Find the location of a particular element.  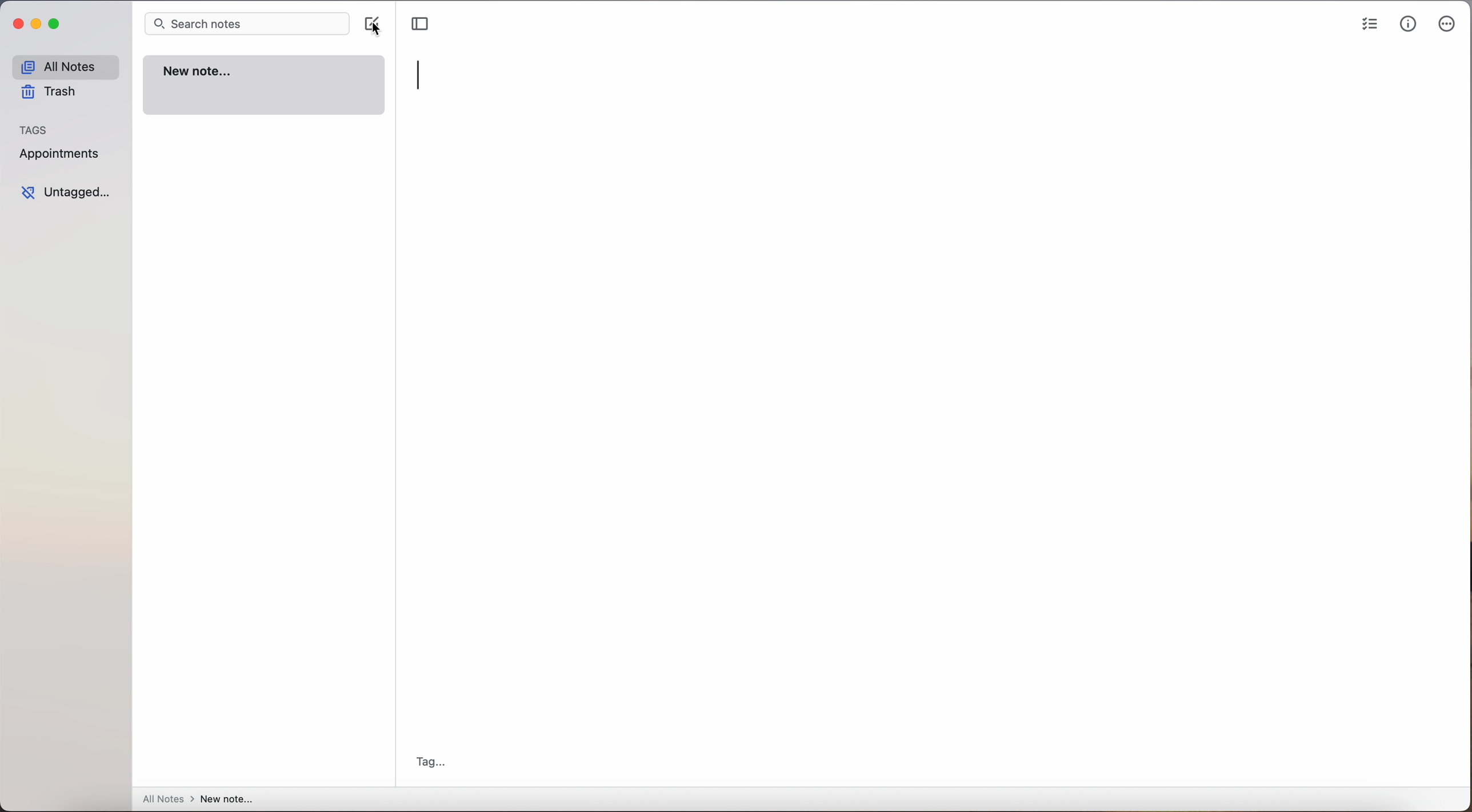

new note is located at coordinates (238, 801).